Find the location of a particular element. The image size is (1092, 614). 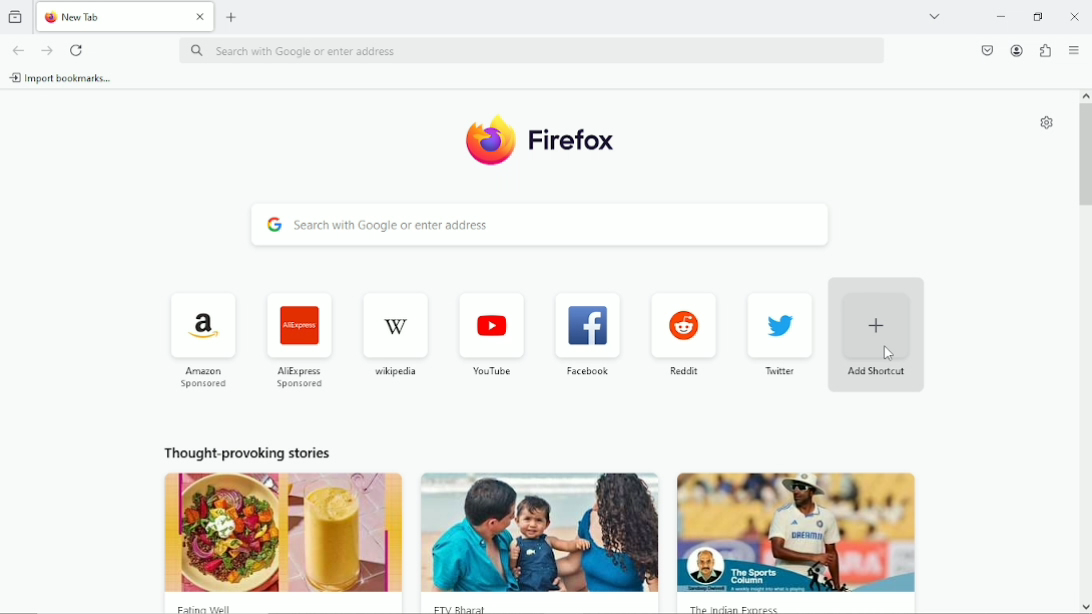

restore down is located at coordinates (1039, 16).